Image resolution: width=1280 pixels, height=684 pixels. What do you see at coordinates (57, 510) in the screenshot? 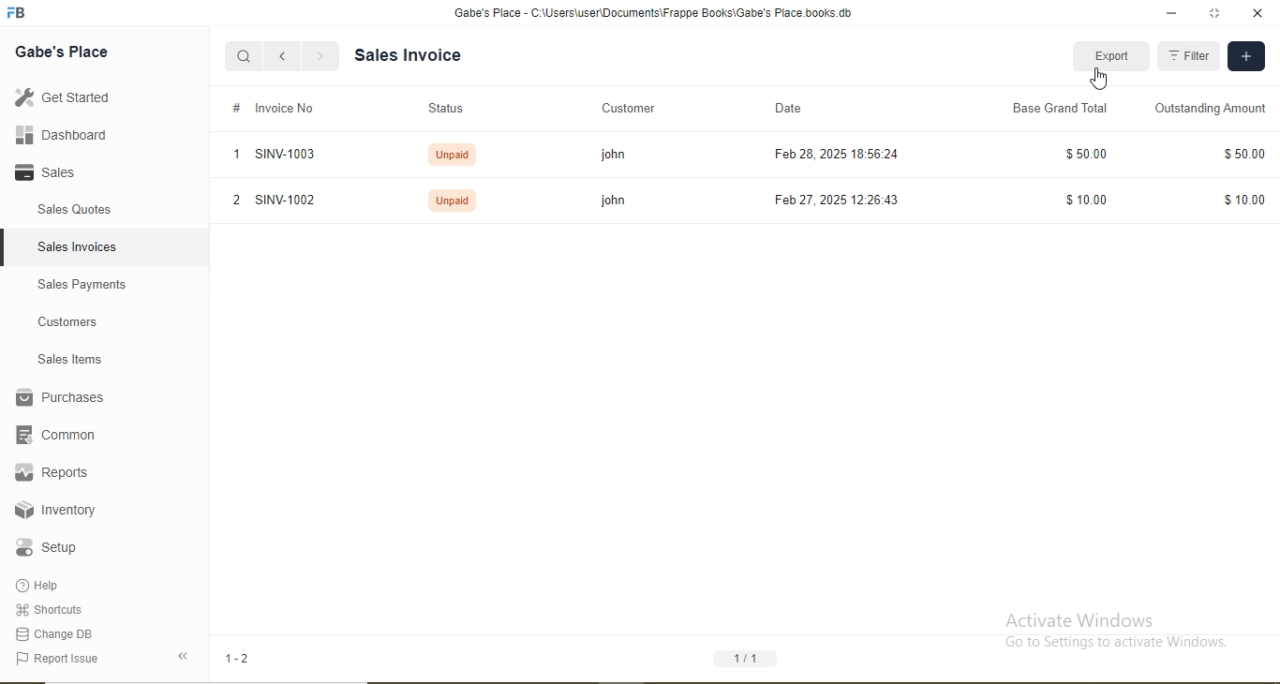
I see `Inventory` at bounding box center [57, 510].